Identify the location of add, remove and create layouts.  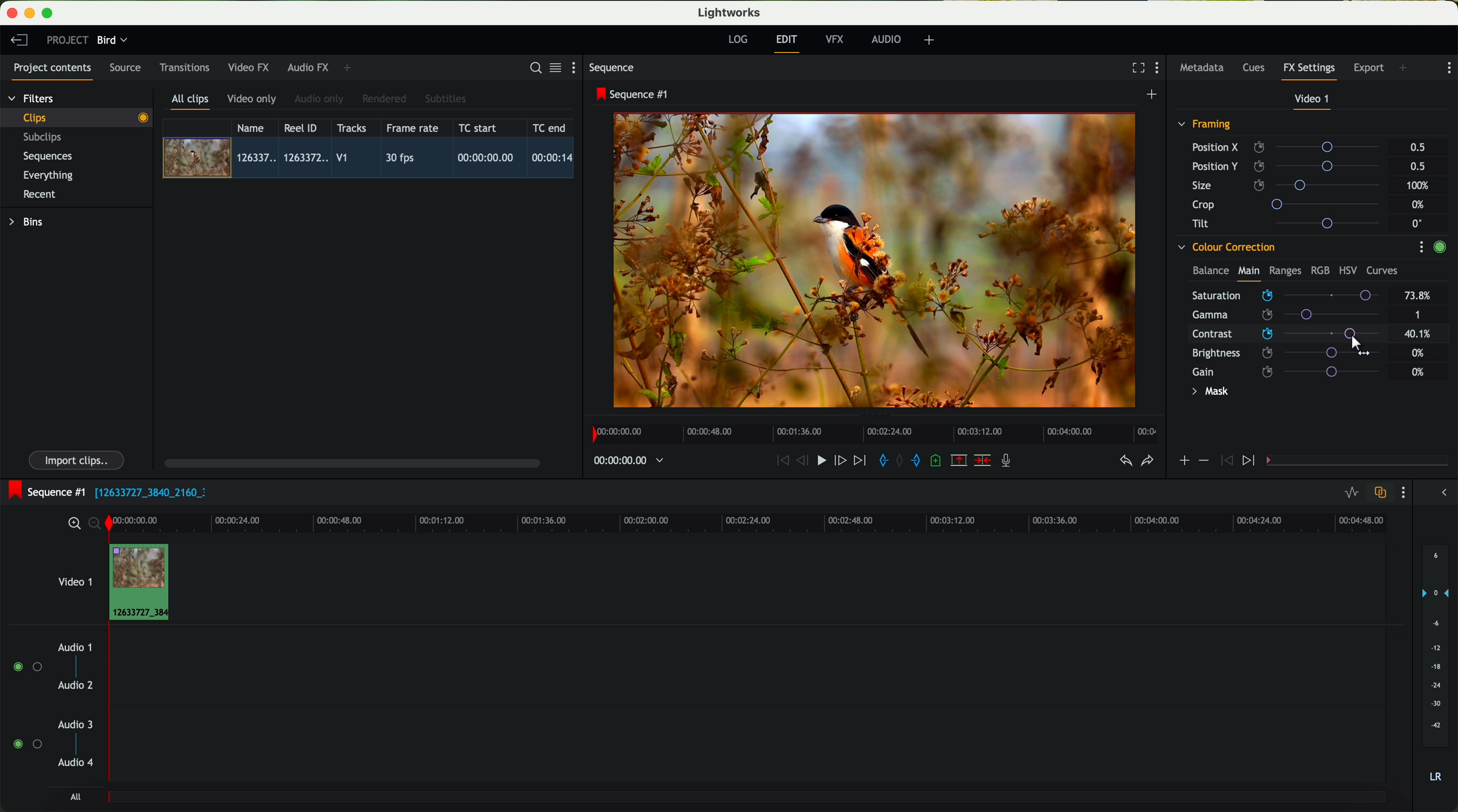
(931, 40).